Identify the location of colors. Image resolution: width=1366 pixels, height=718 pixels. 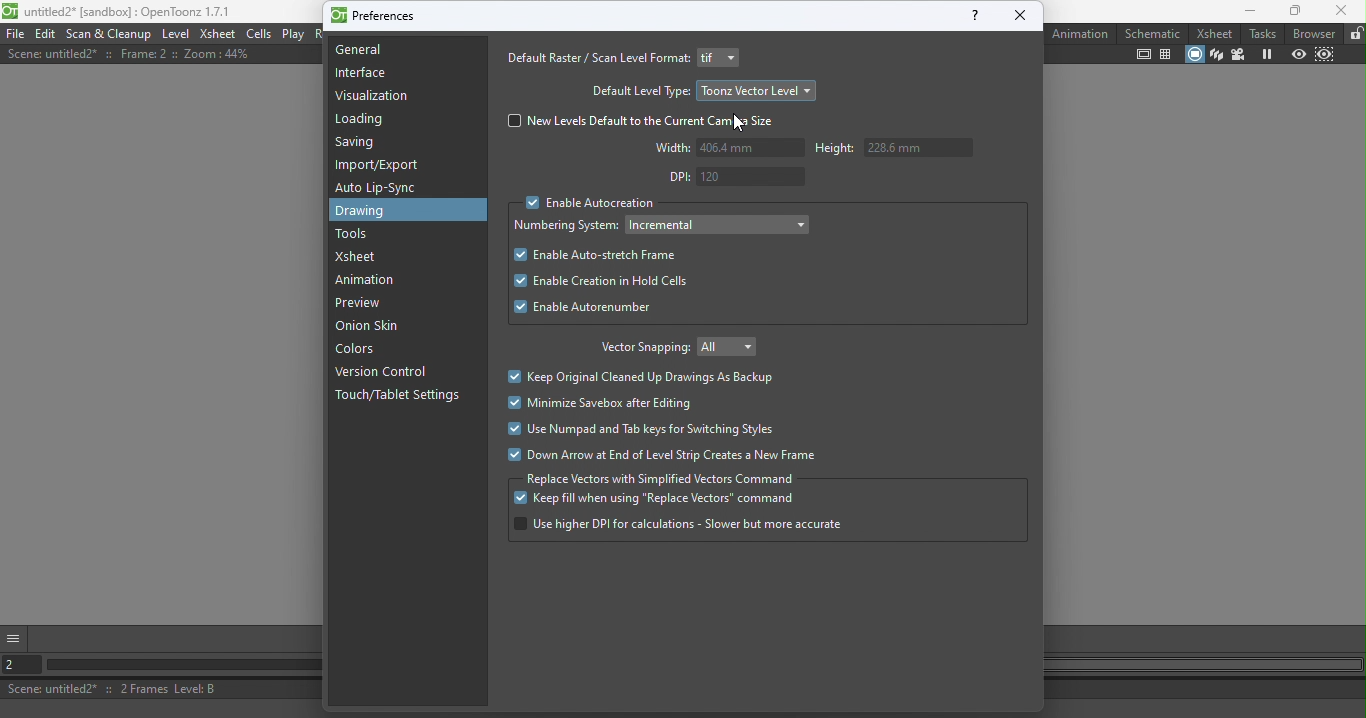
(361, 351).